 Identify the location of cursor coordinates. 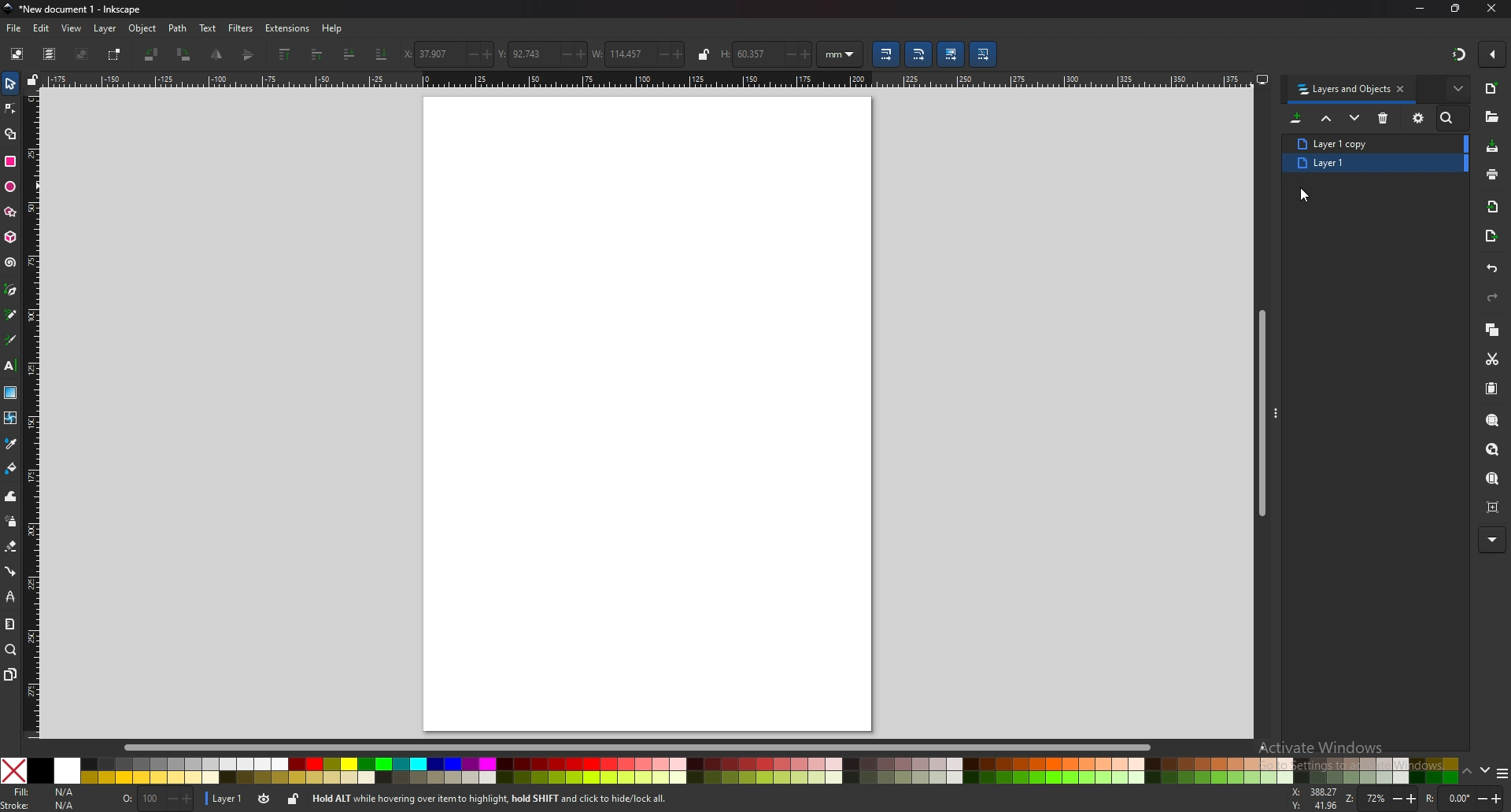
(1313, 797).